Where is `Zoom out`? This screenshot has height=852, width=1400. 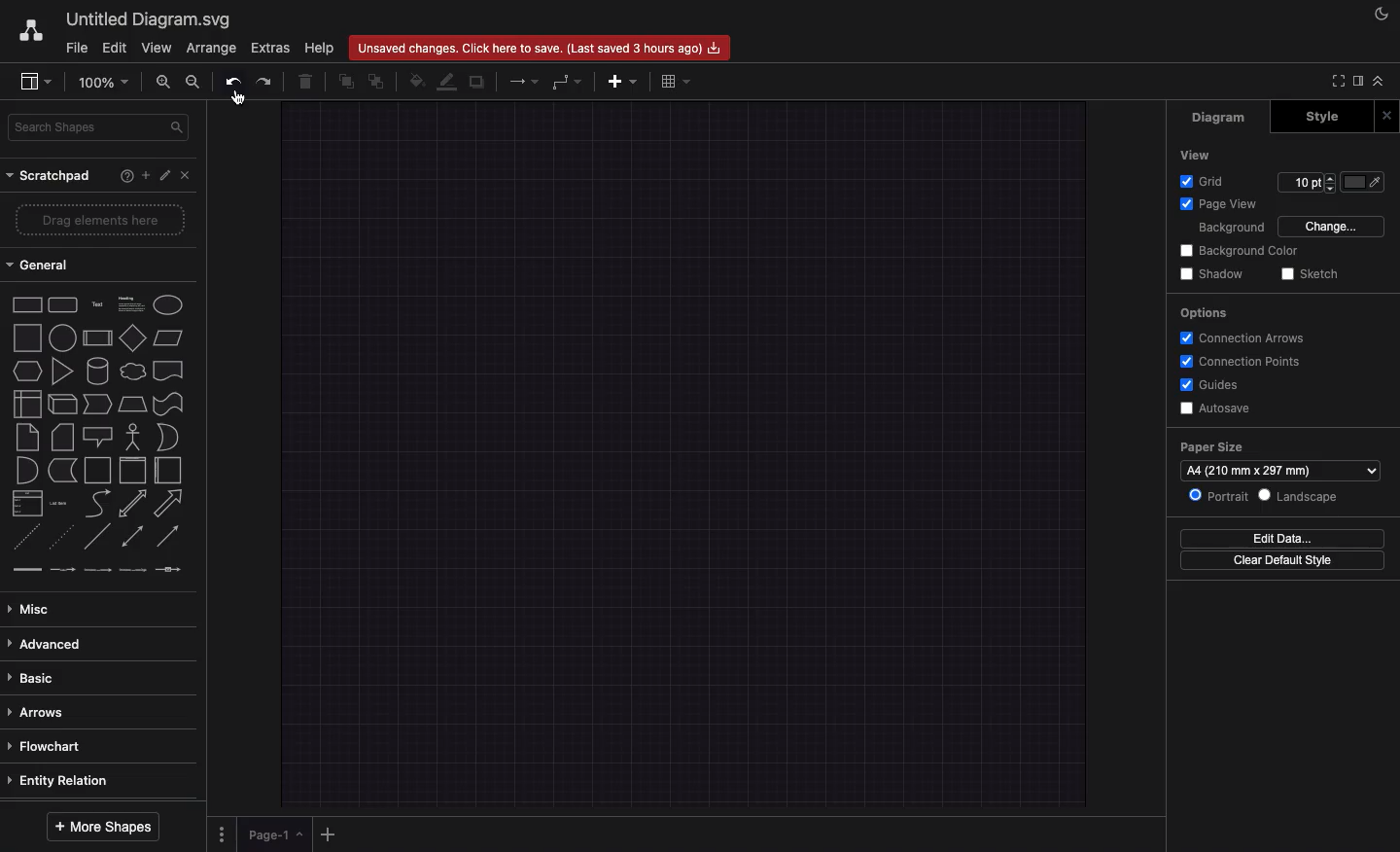
Zoom out is located at coordinates (194, 83).